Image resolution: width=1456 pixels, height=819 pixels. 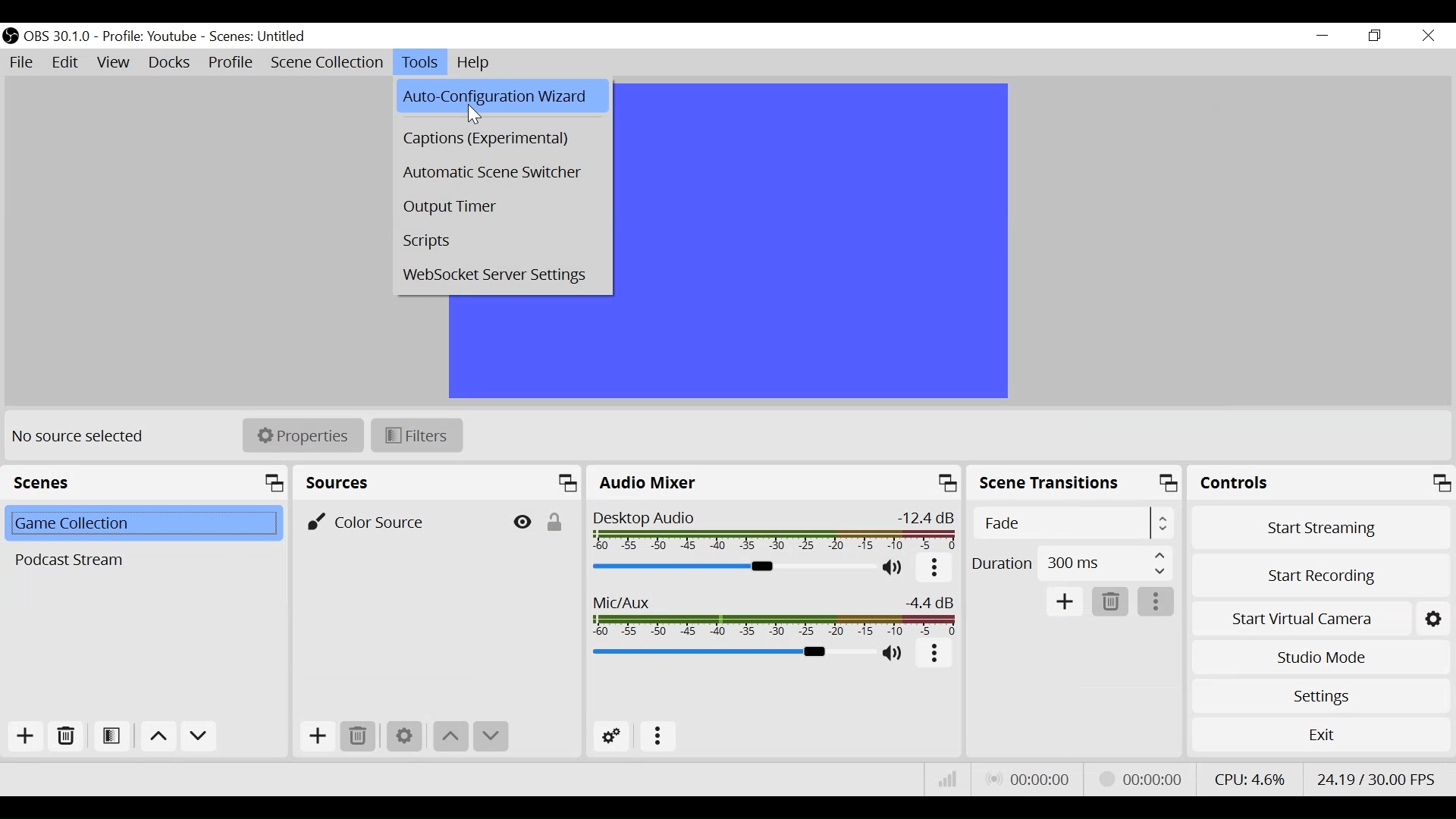 I want to click on Remove, so click(x=360, y=737).